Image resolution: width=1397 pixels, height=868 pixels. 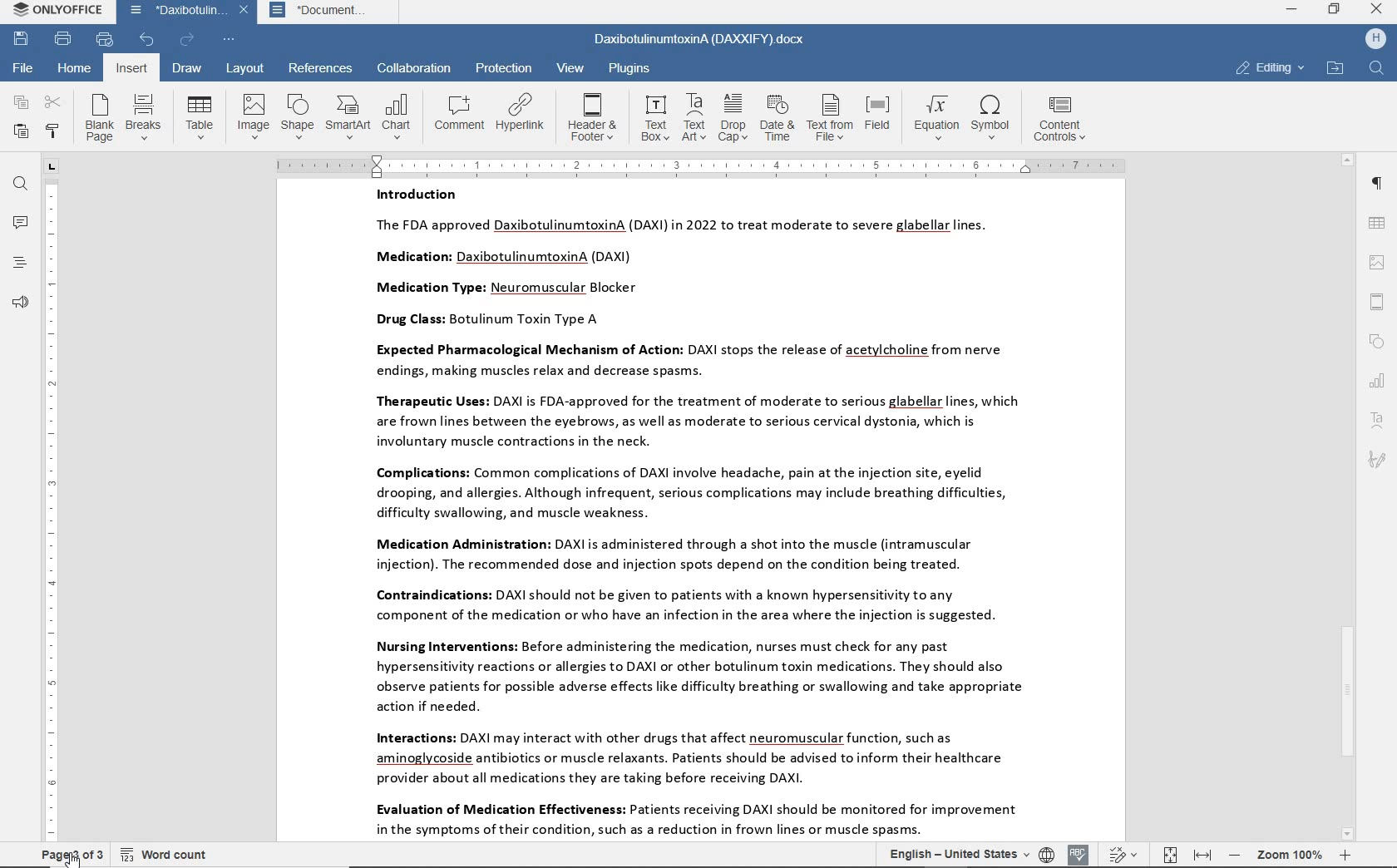 I want to click on copy, so click(x=18, y=102).